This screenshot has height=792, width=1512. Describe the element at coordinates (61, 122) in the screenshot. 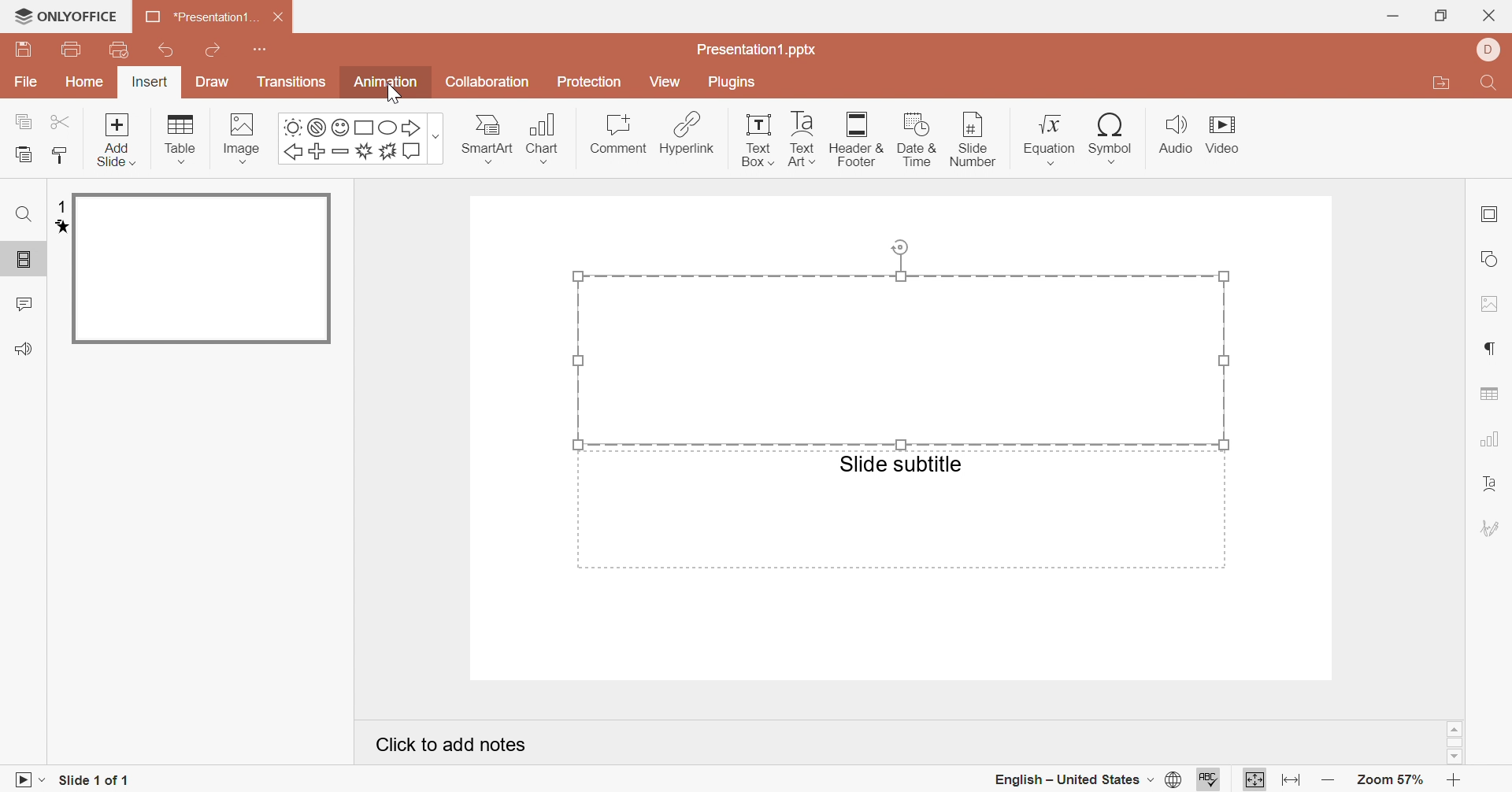

I see `cut` at that location.